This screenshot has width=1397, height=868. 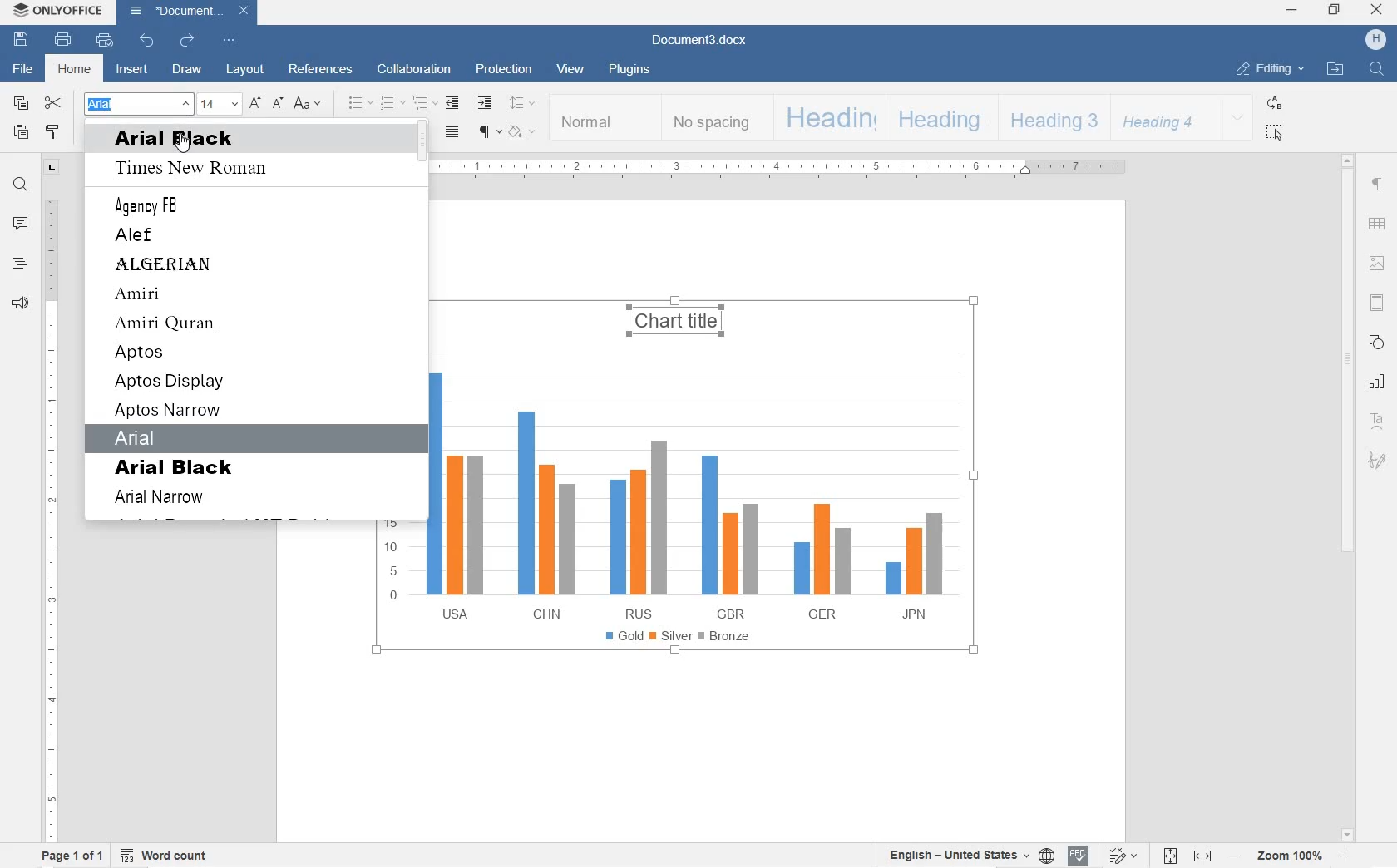 I want to click on EXPAND FORMATTING STYLE, so click(x=1237, y=118).